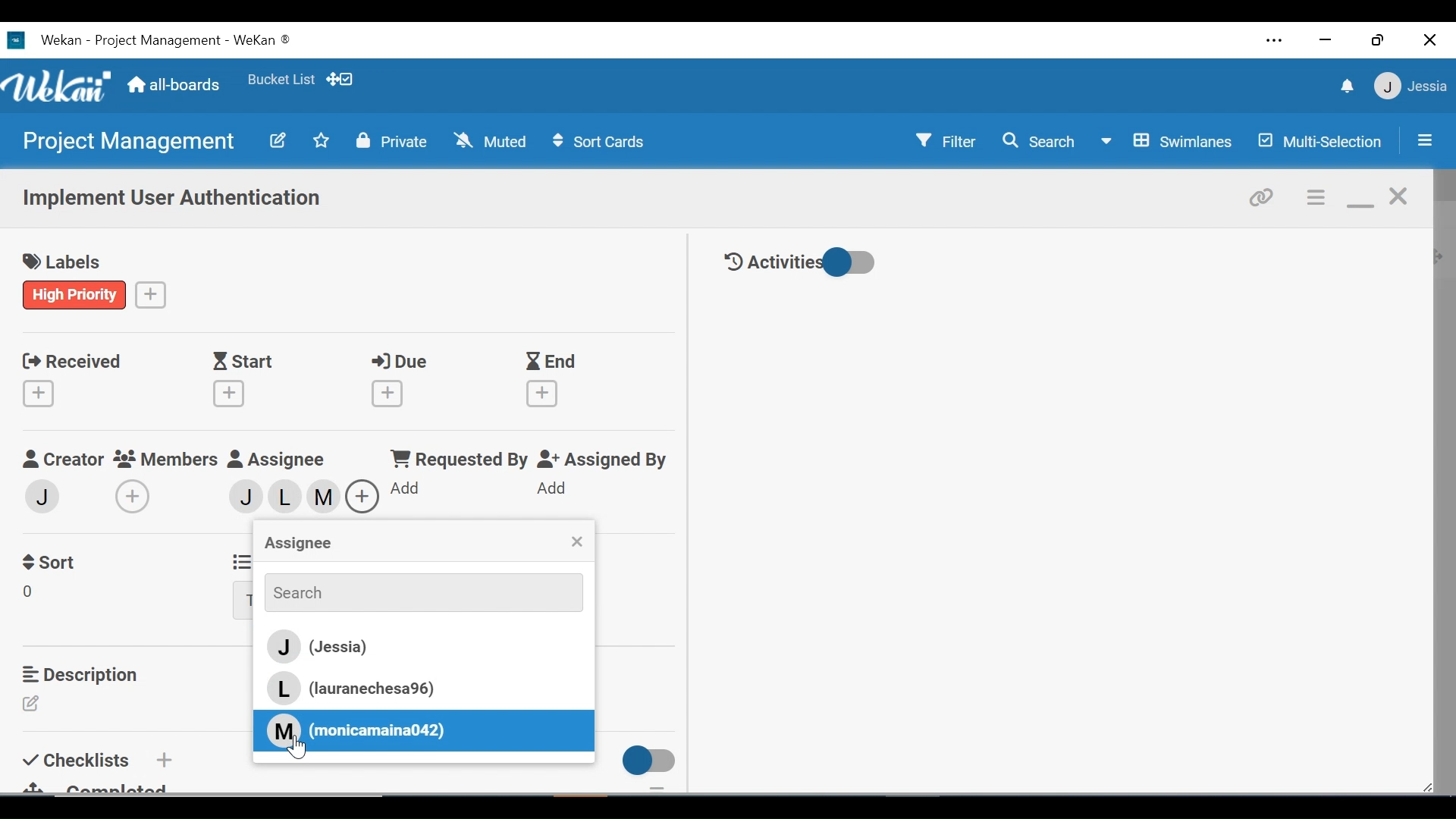  Describe the element at coordinates (543, 489) in the screenshot. I see `Add` at that location.